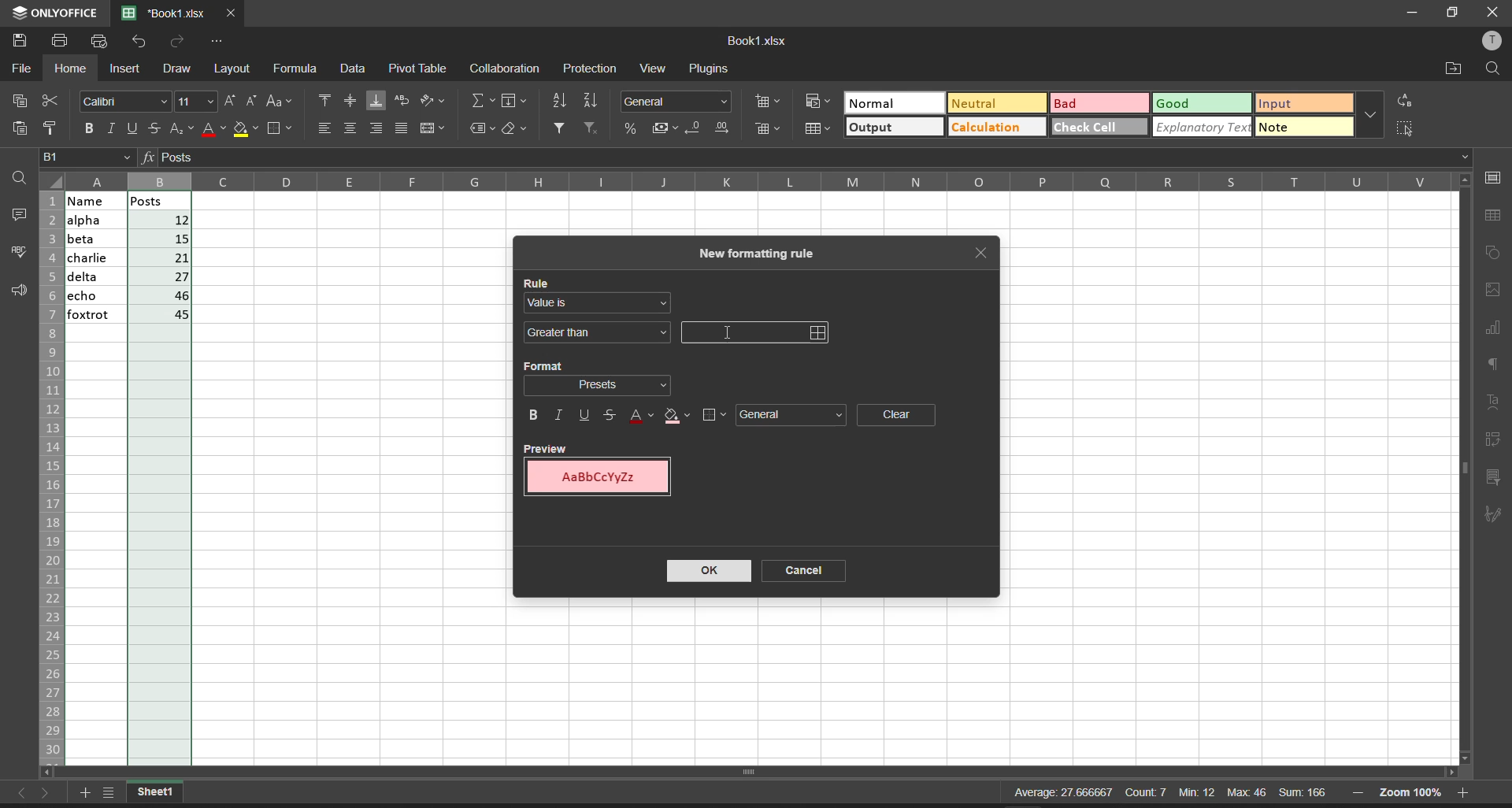 The height and width of the screenshot is (808, 1512). Describe the element at coordinates (46, 791) in the screenshot. I see `move to the sheet right` at that location.